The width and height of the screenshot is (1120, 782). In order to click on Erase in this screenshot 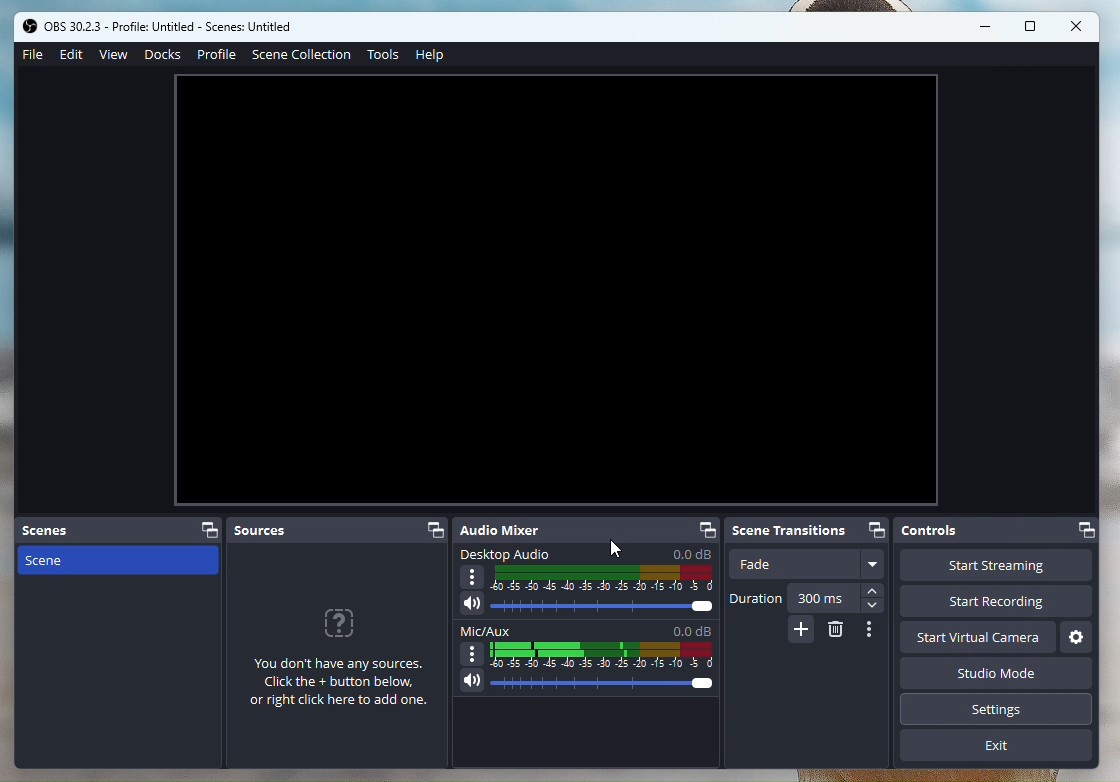, I will do `click(833, 634)`.